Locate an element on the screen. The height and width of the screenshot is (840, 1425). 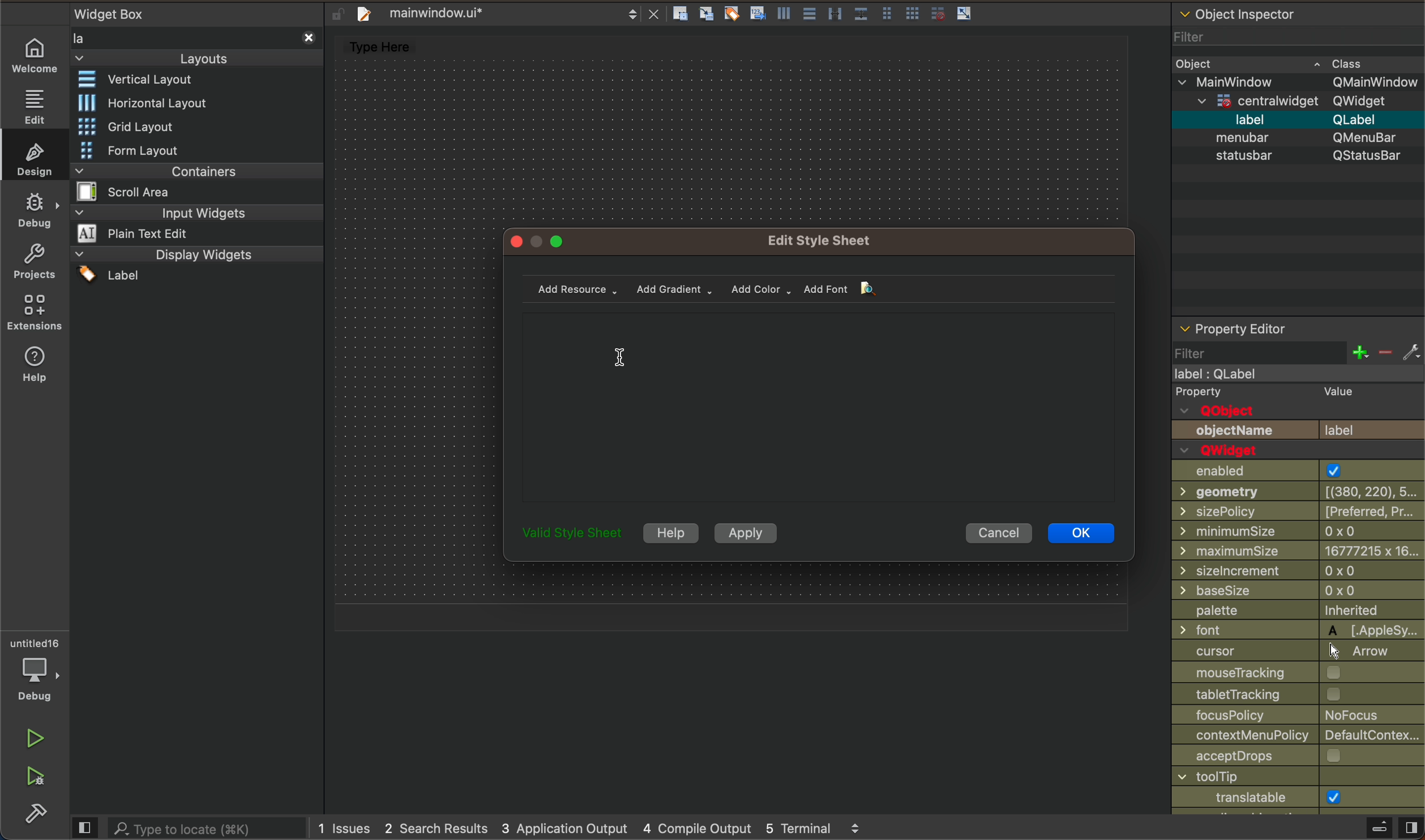
main window is located at coordinates (1297, 83).